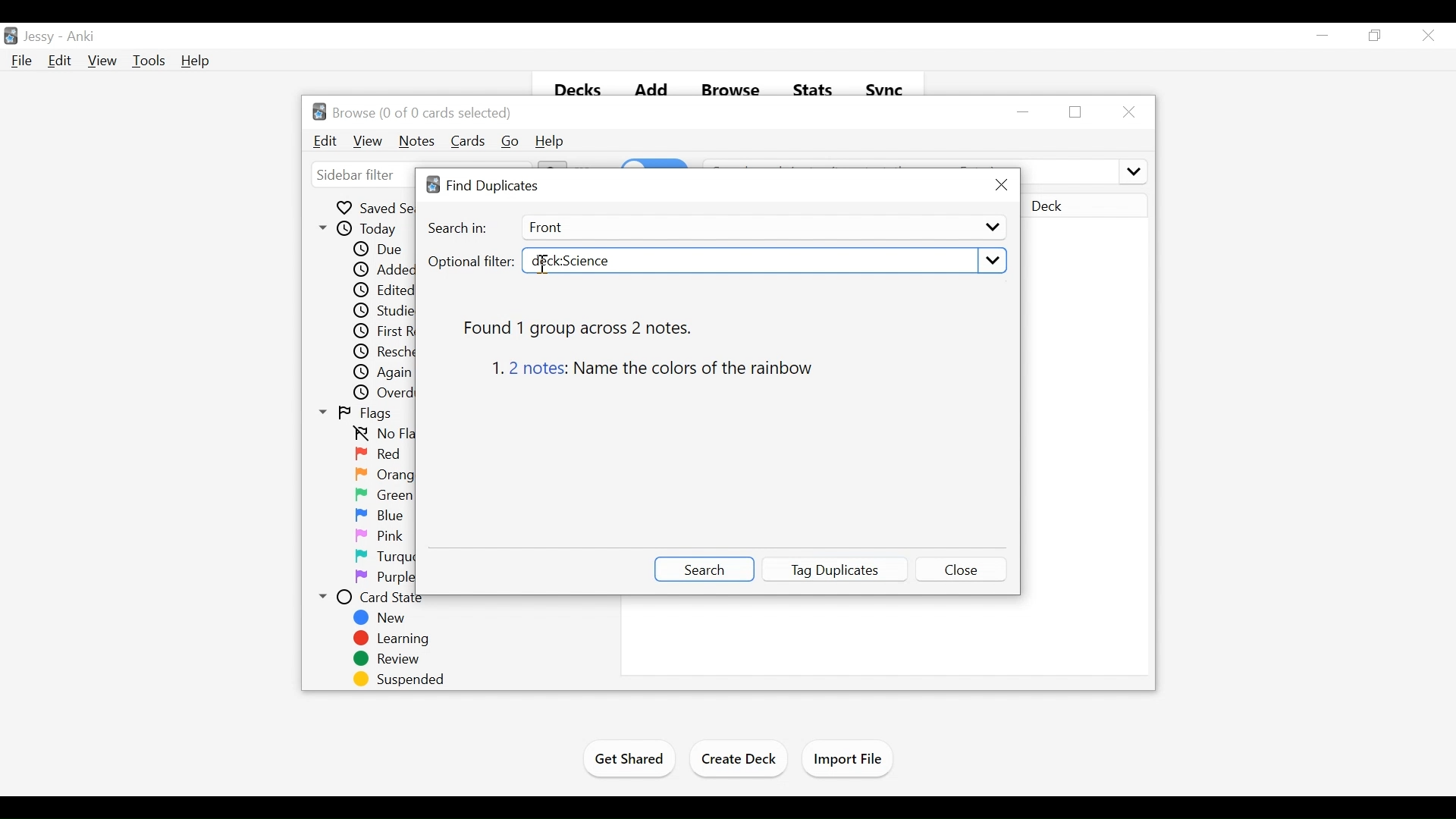 The height and width of the screenshot is (819, 1456). What do you see at coordinates (739, 761) in the screenshot?
I see `Create Deck` at bounding box center [739, 761].